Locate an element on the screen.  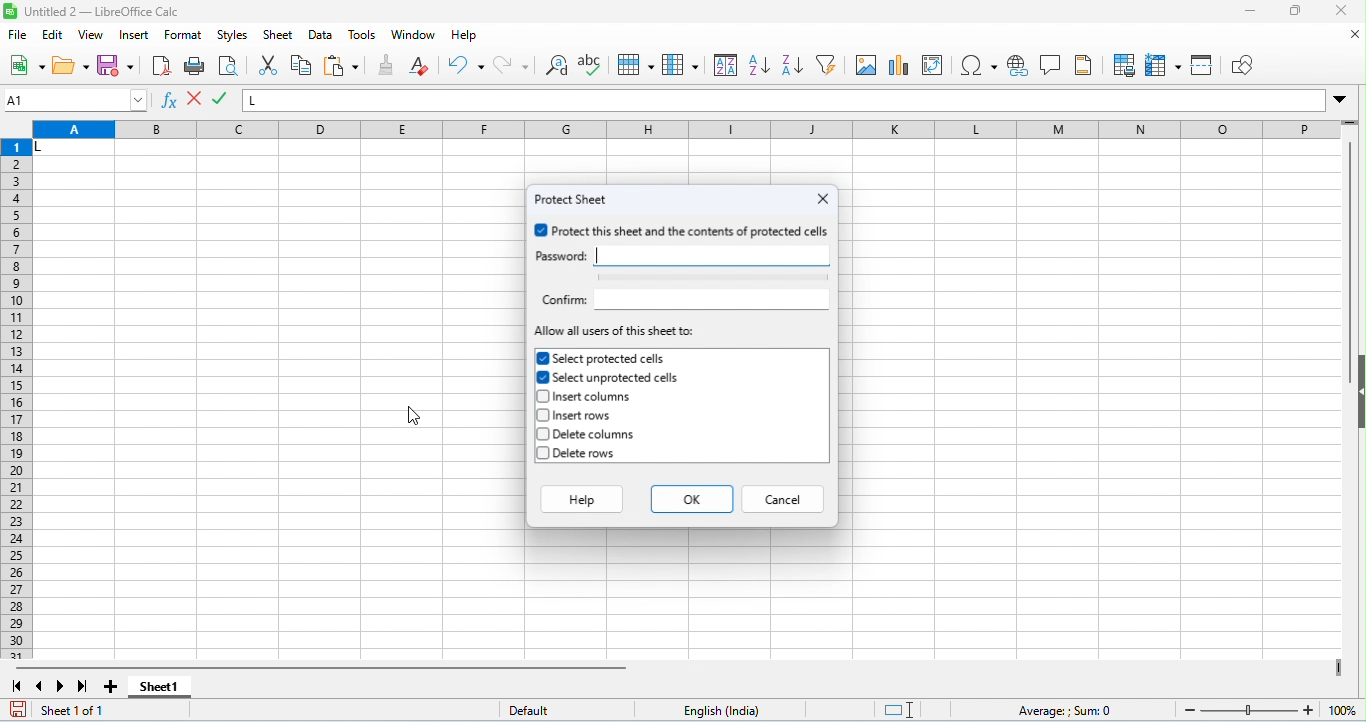
last sheet is located at coordinates (83, 686).